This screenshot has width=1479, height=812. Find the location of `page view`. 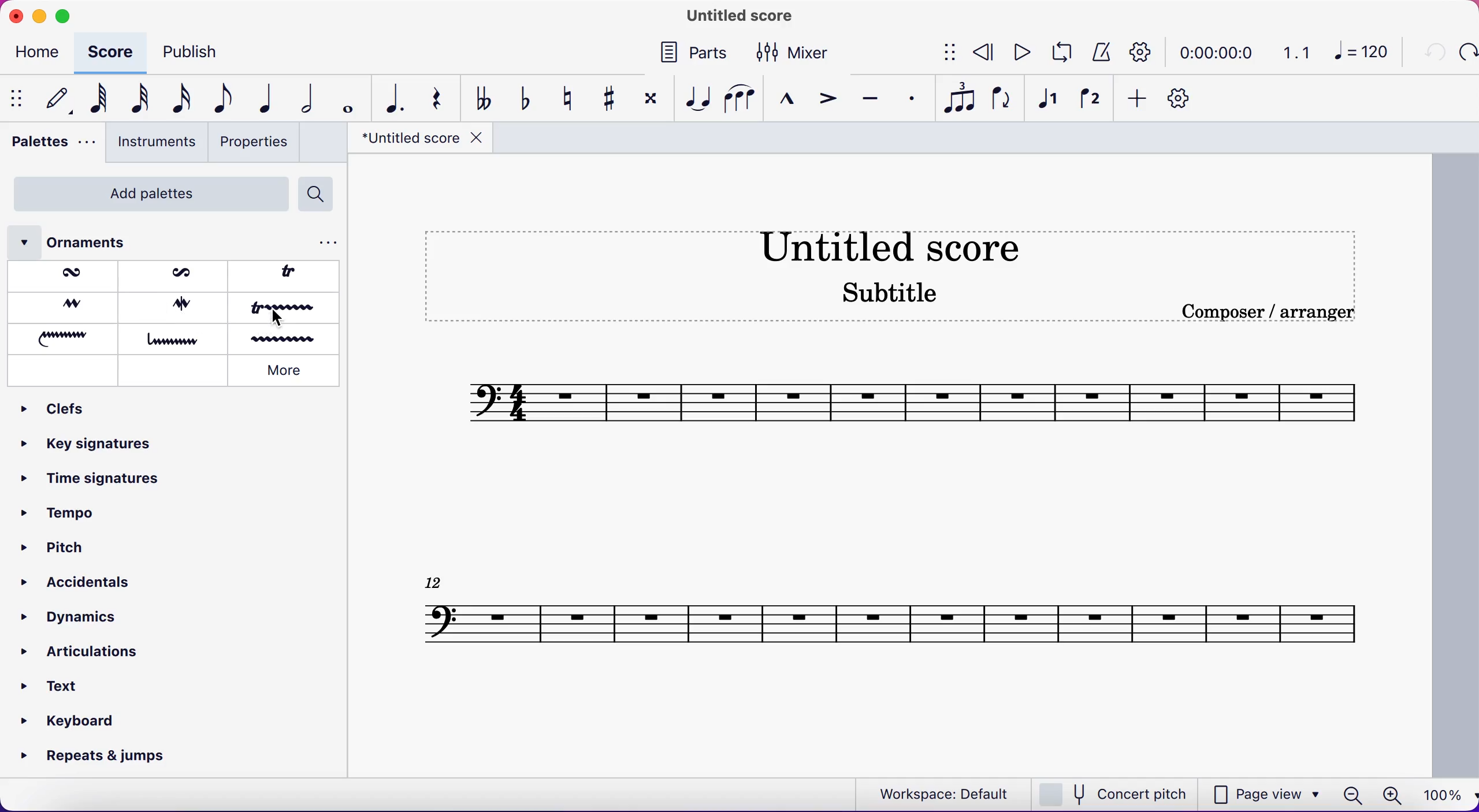

page view is located at coordinates (1268, 793).